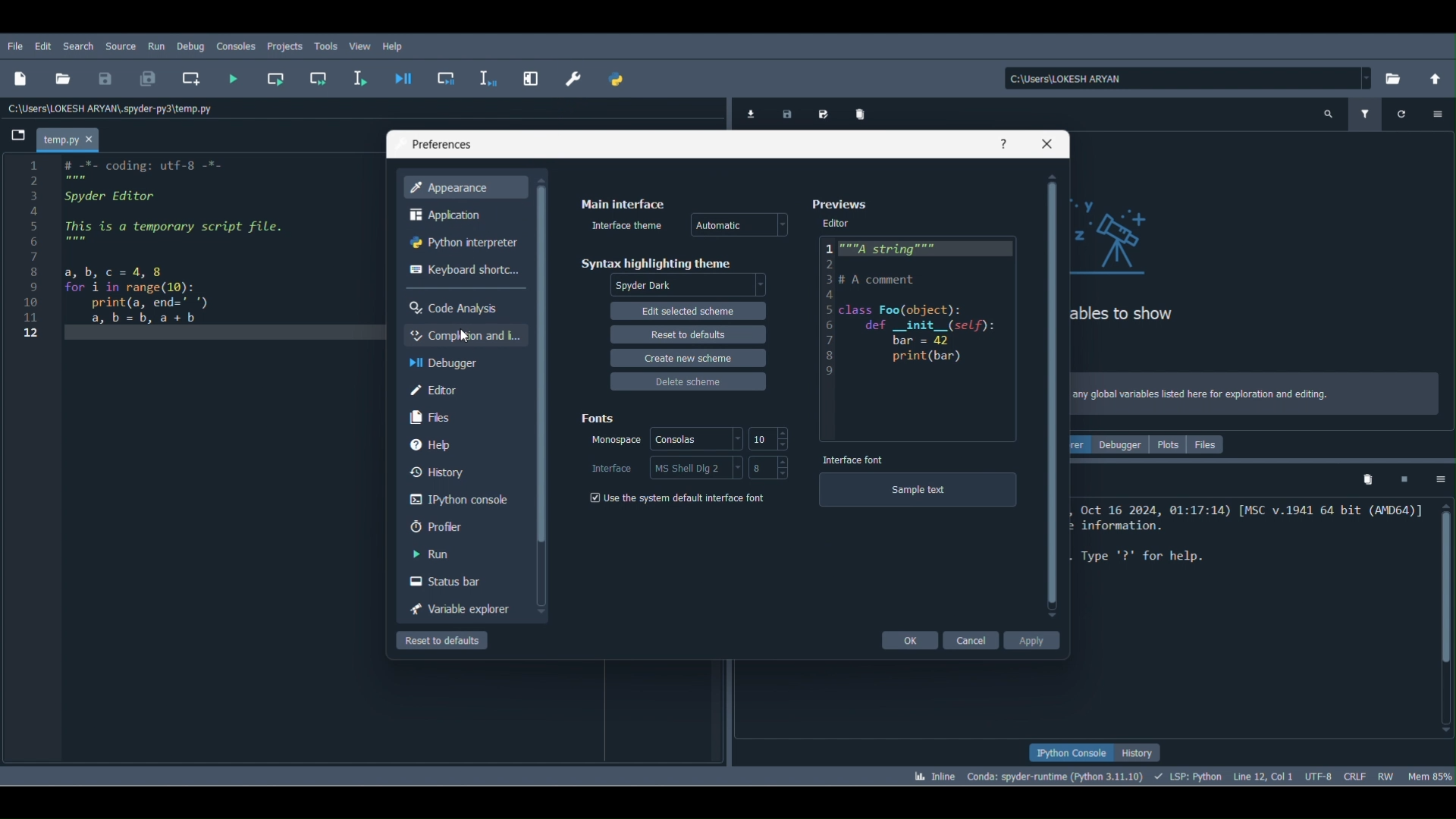 The width and height of the screenshot is (1456, 819). Describe the element at coordinates (464, 240) in the screenshot. I see `Python Interpreter` at that location.